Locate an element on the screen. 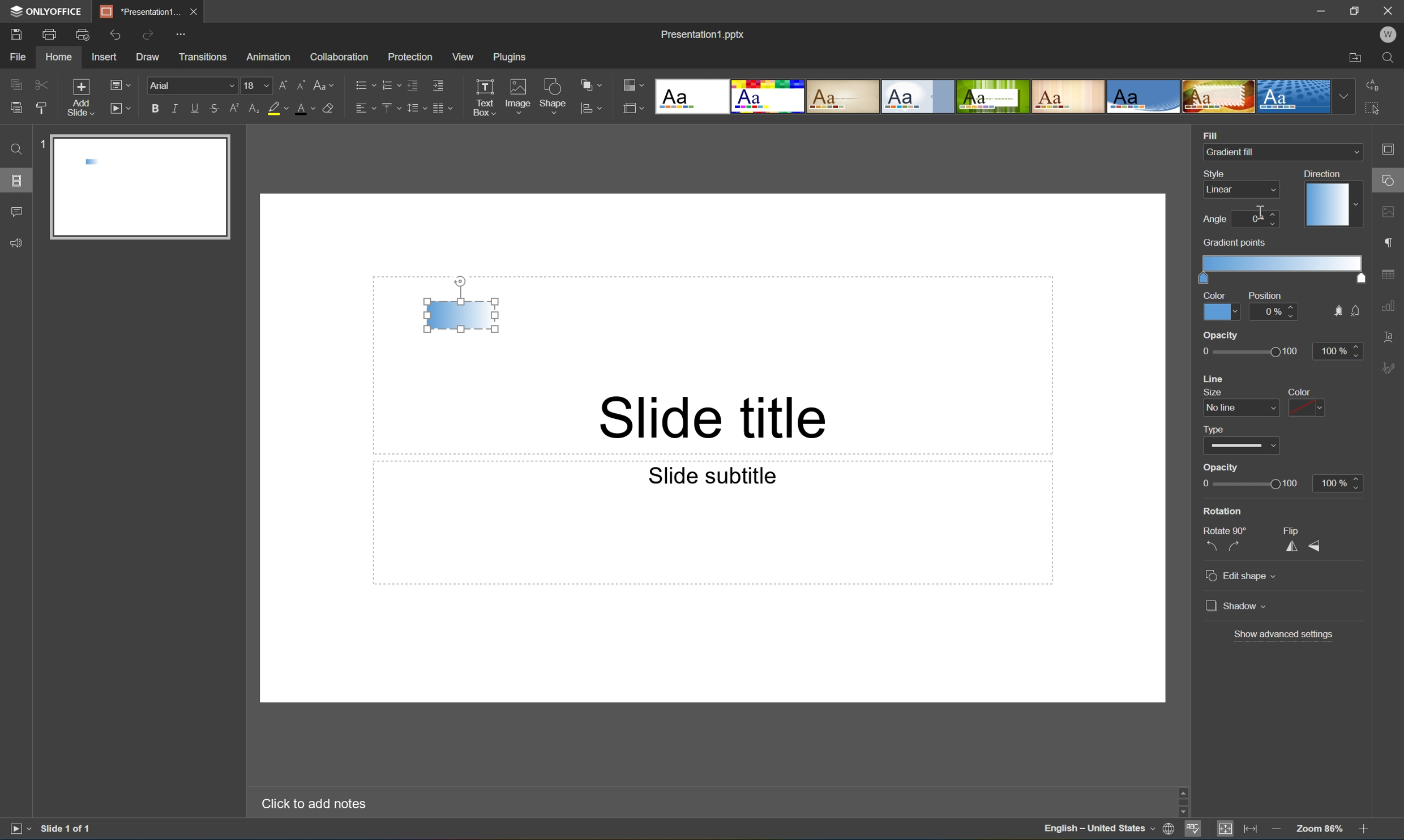  Highlight is located at coordinates (279, 109).